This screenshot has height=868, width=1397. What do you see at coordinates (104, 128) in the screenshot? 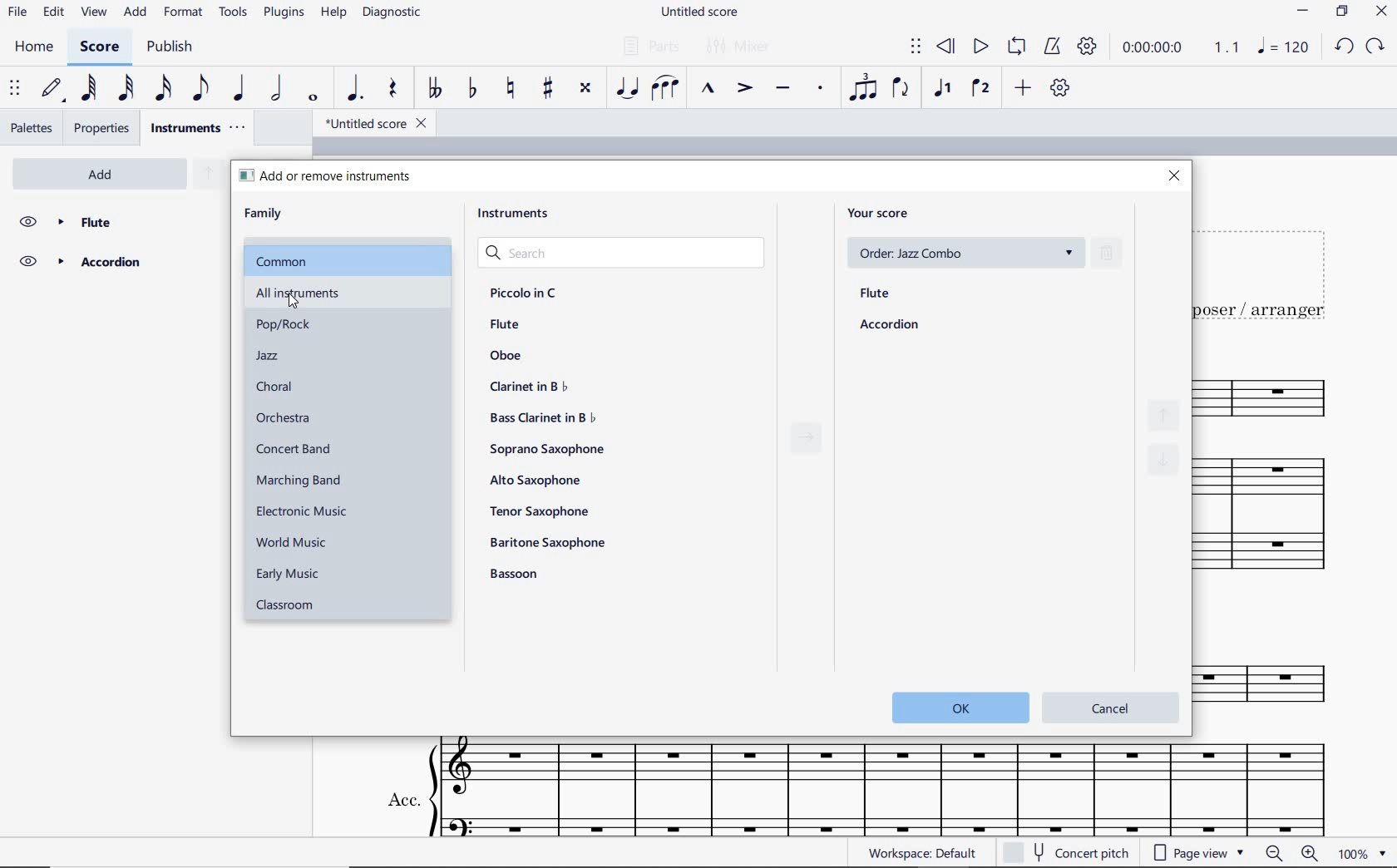
I see `properties` at bounding box center [104, 128].